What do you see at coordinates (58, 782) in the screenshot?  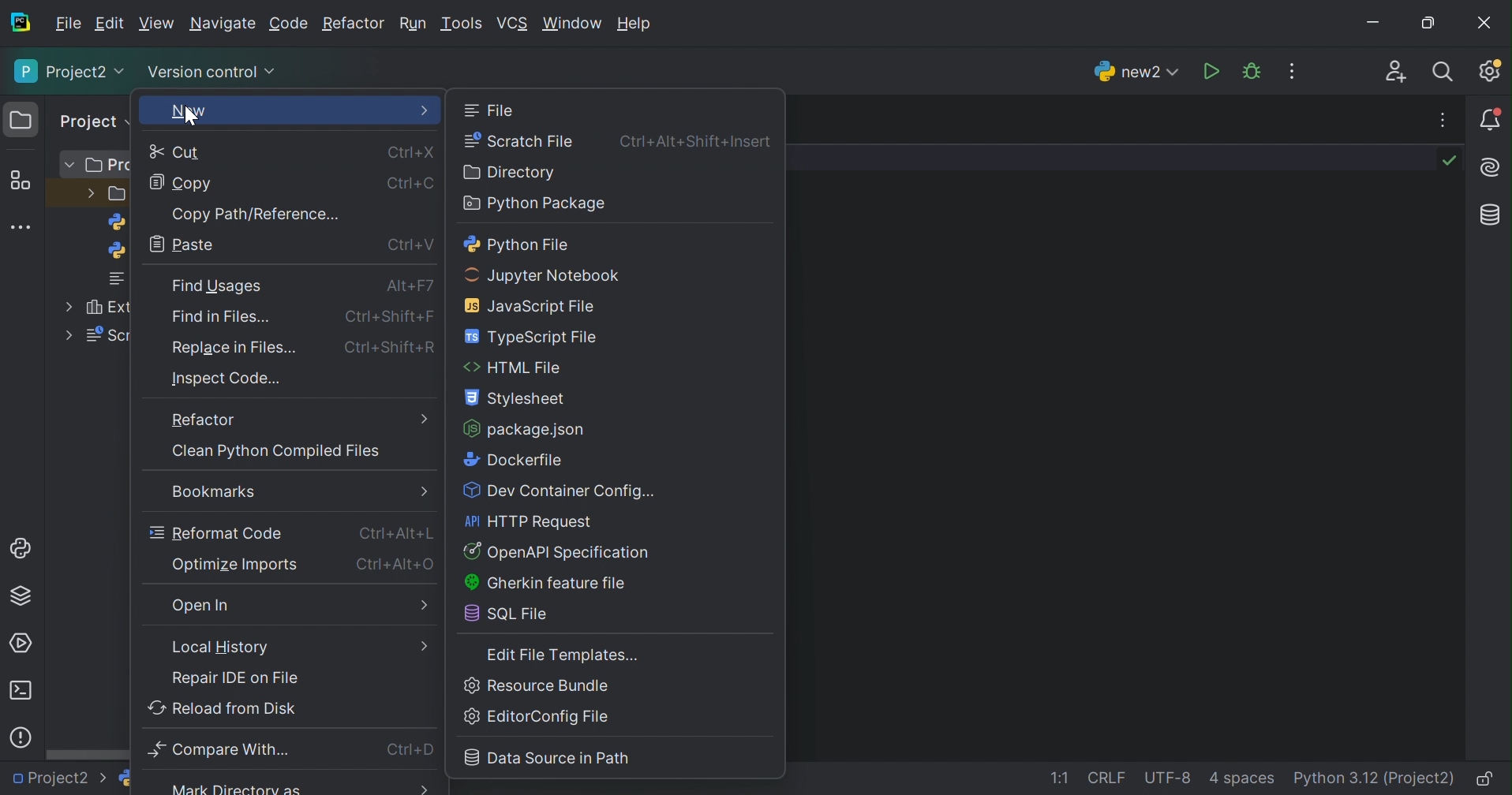 I see `Project2` at bounding box center [58, 782].